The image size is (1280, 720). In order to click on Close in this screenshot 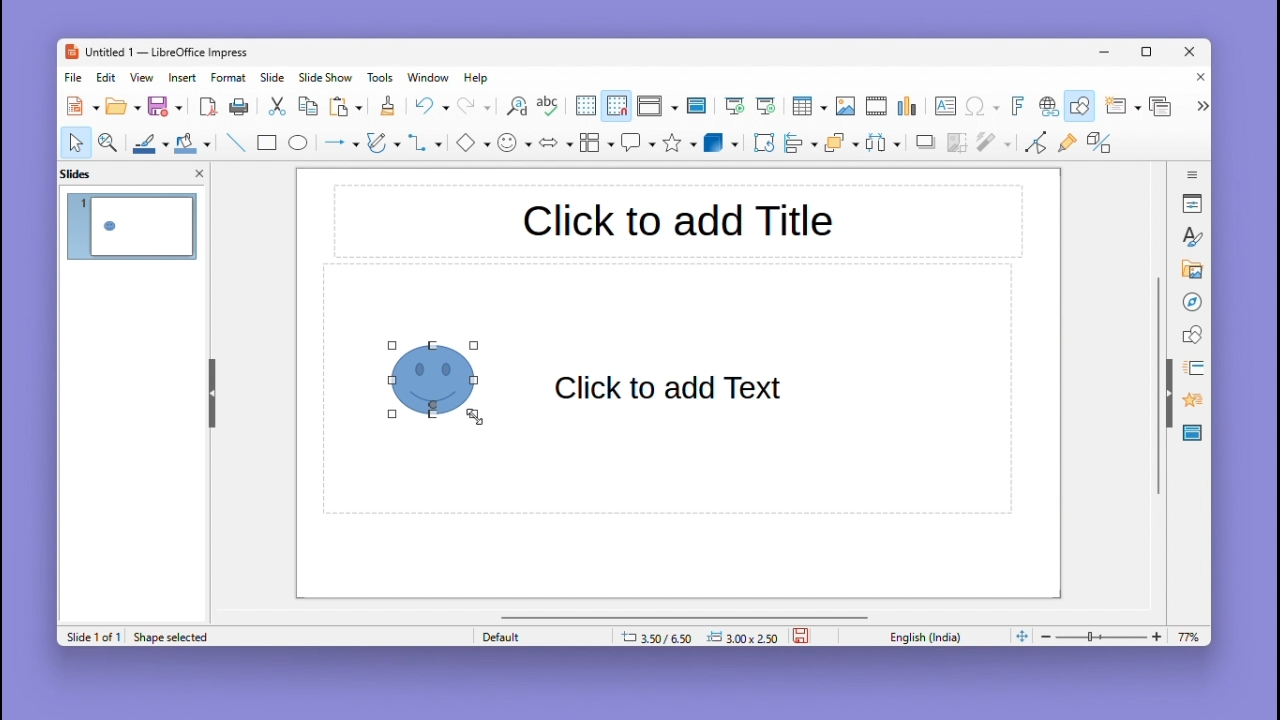, I will do `click(1191, 53)`.